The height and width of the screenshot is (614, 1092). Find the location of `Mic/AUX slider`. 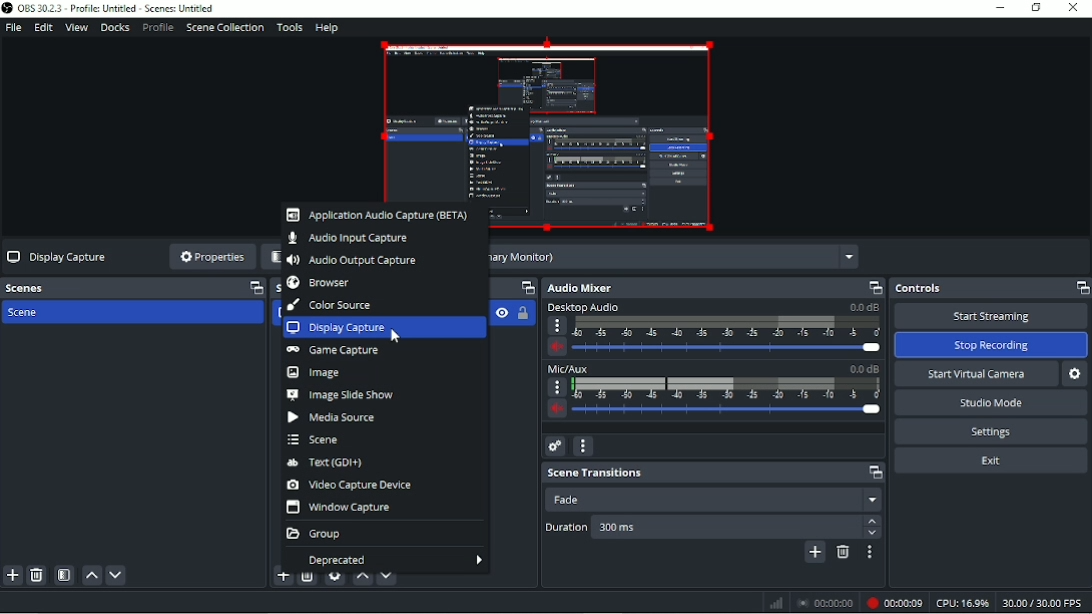

Mic/AUX slider is located at coordinates (714, 393).